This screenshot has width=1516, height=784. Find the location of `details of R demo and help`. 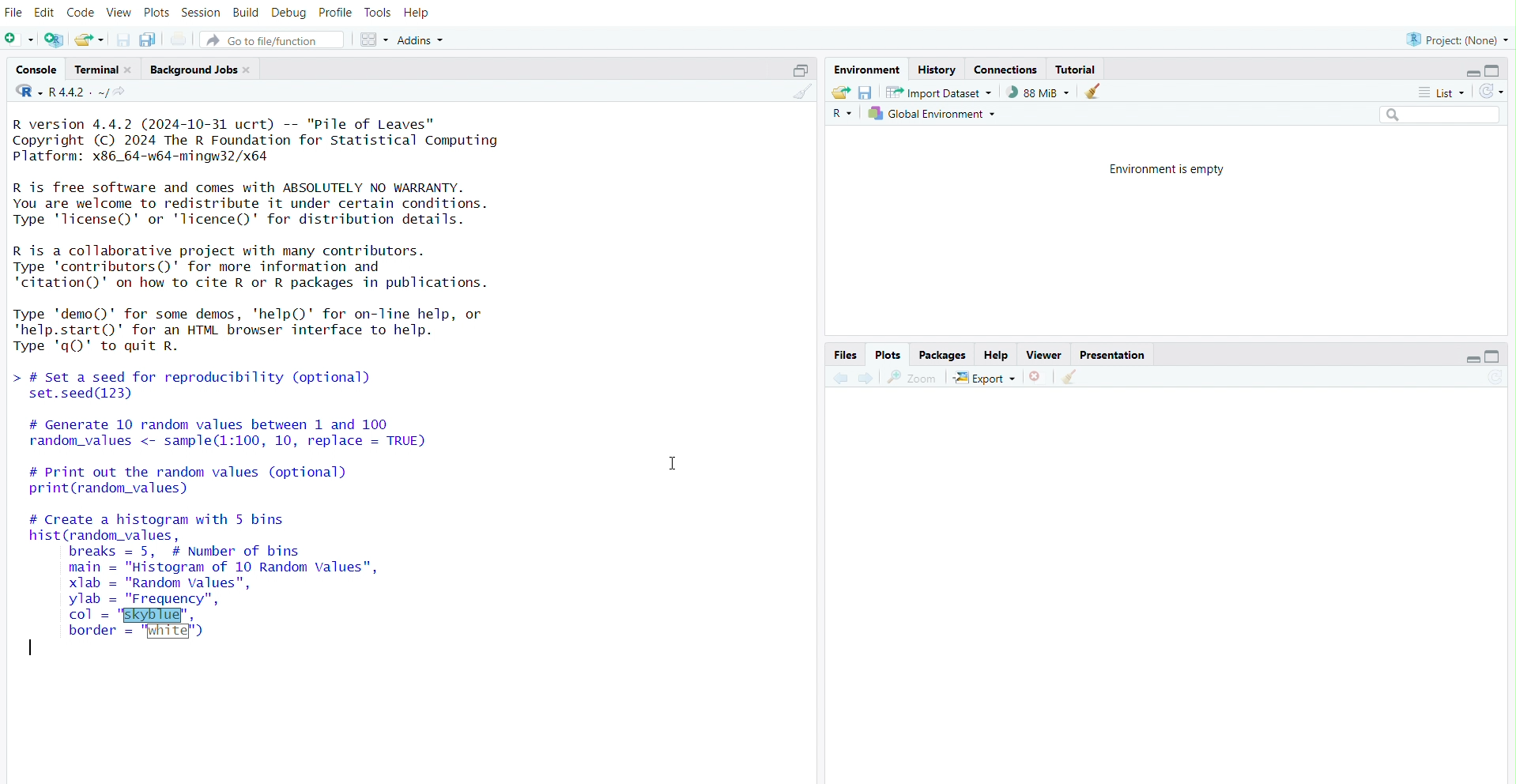

details of R demo and help is located at coordinates (283, 330).